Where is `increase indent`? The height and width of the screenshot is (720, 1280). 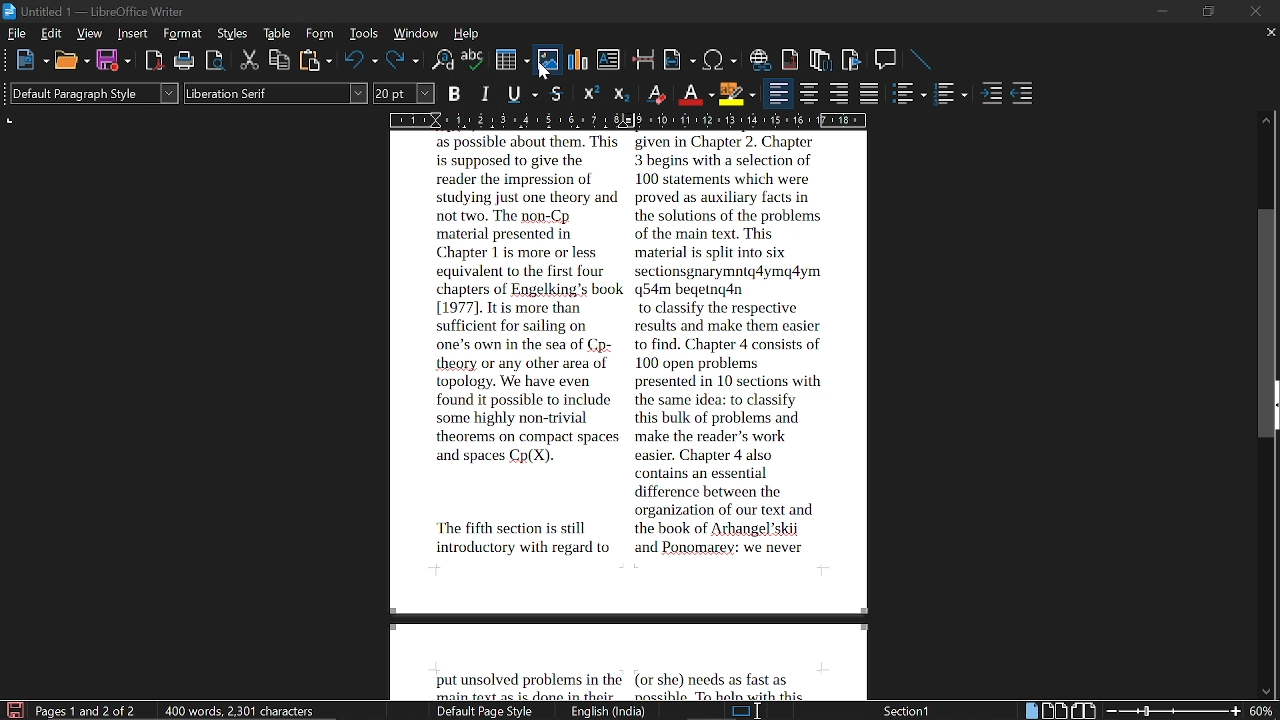 increase indent is located at coordinates (993, 93).